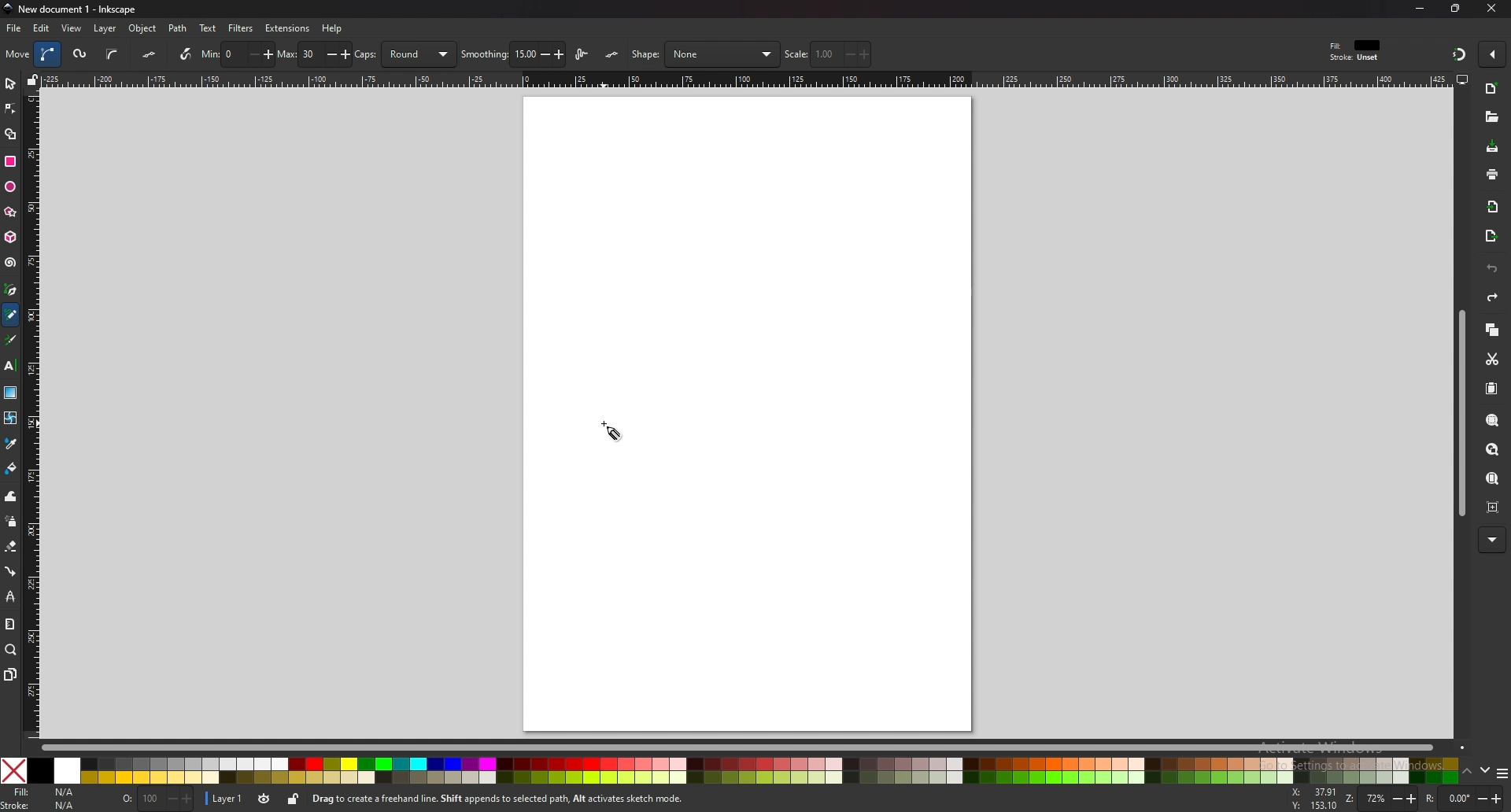  Describe the element at coordinates (1492, 270) in the screenshot. I see `undo` at that location.